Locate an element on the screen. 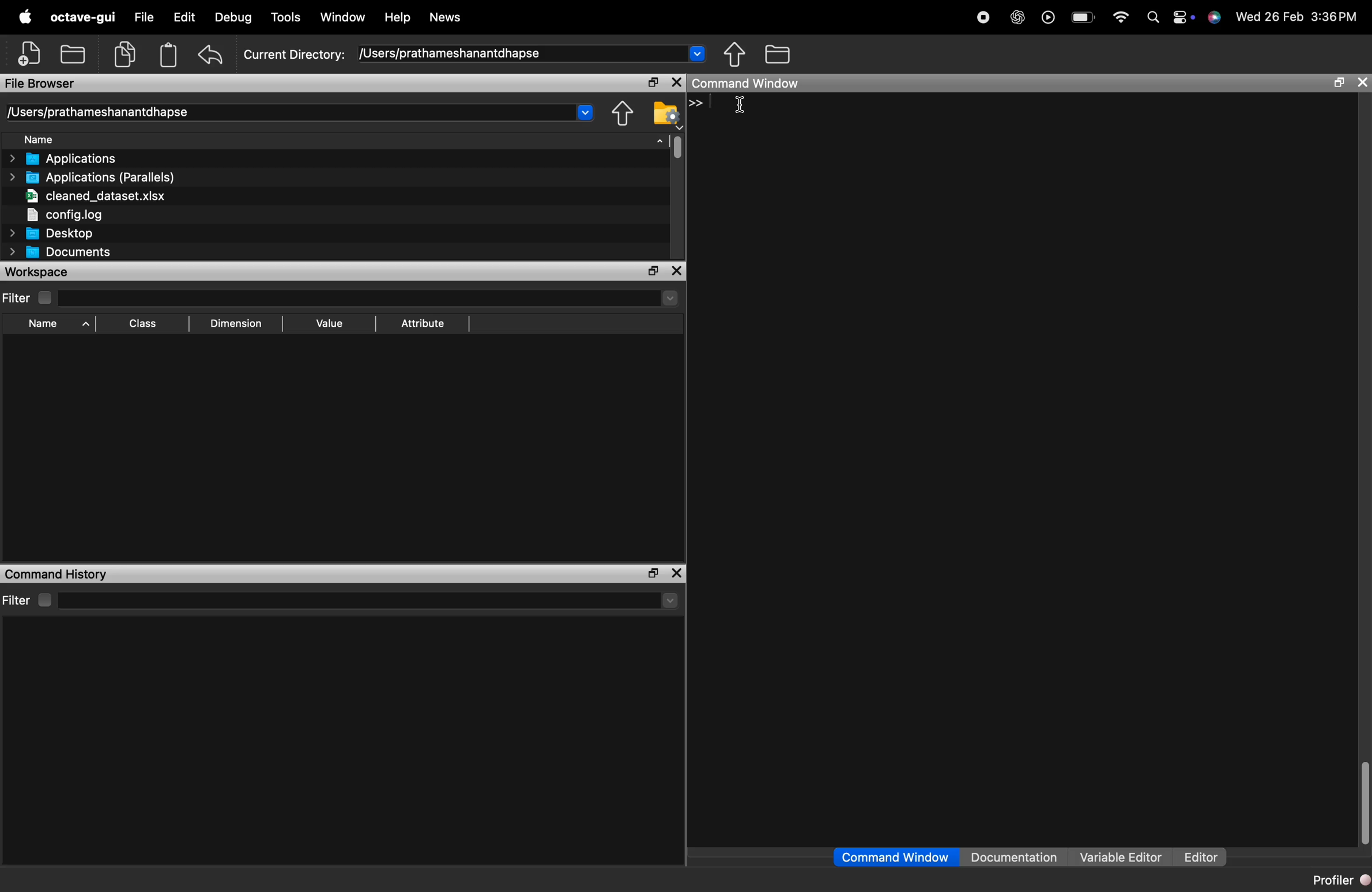 This screenshot has height=892, width=1372. » Wed is located at coordinates (1246, 17).